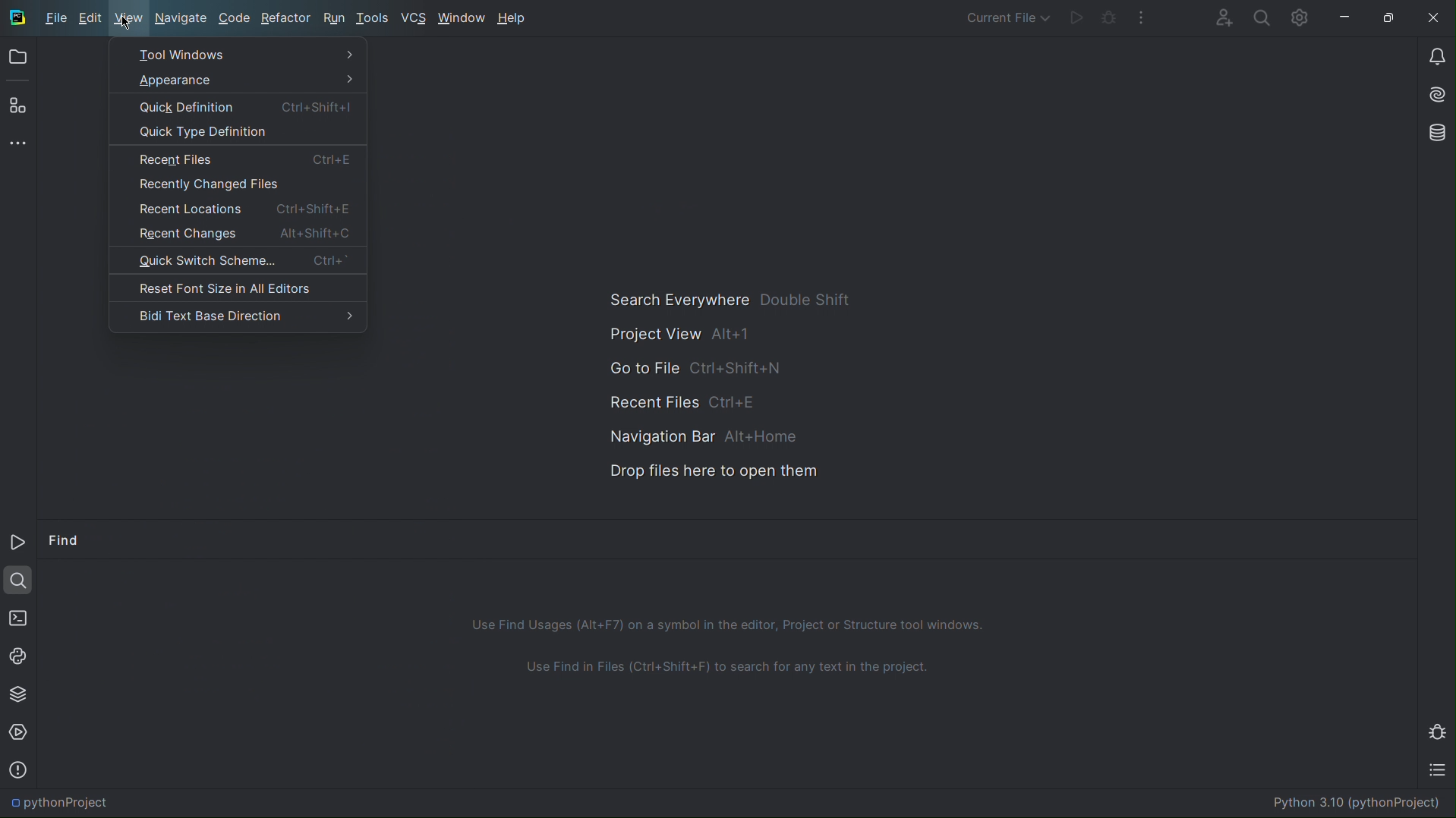 Image resolution: width=1456 pixels, height=818 pixels. I want to click on cursor, so click(128, 24).